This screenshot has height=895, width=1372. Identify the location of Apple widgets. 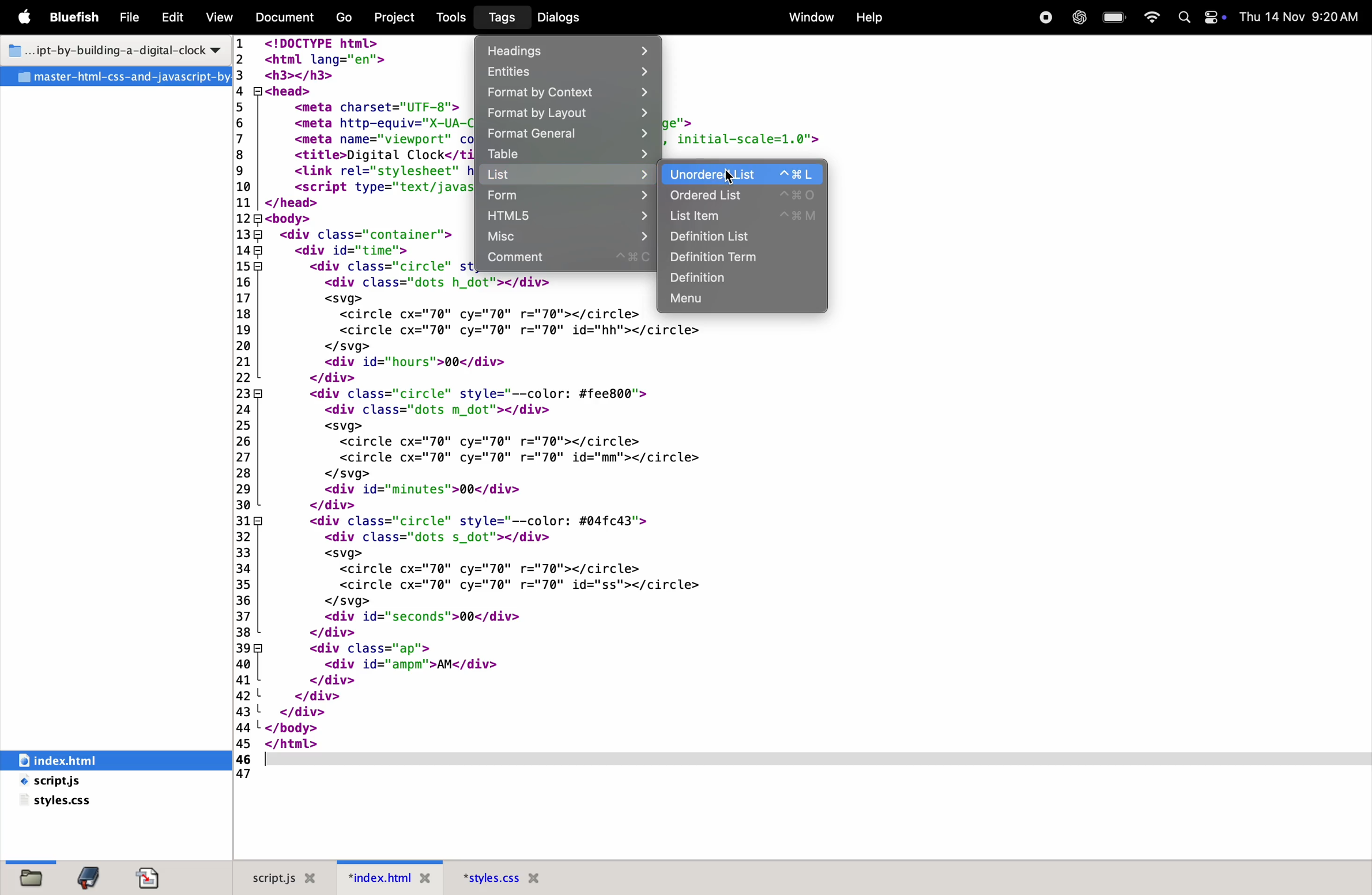
(1198, 18).